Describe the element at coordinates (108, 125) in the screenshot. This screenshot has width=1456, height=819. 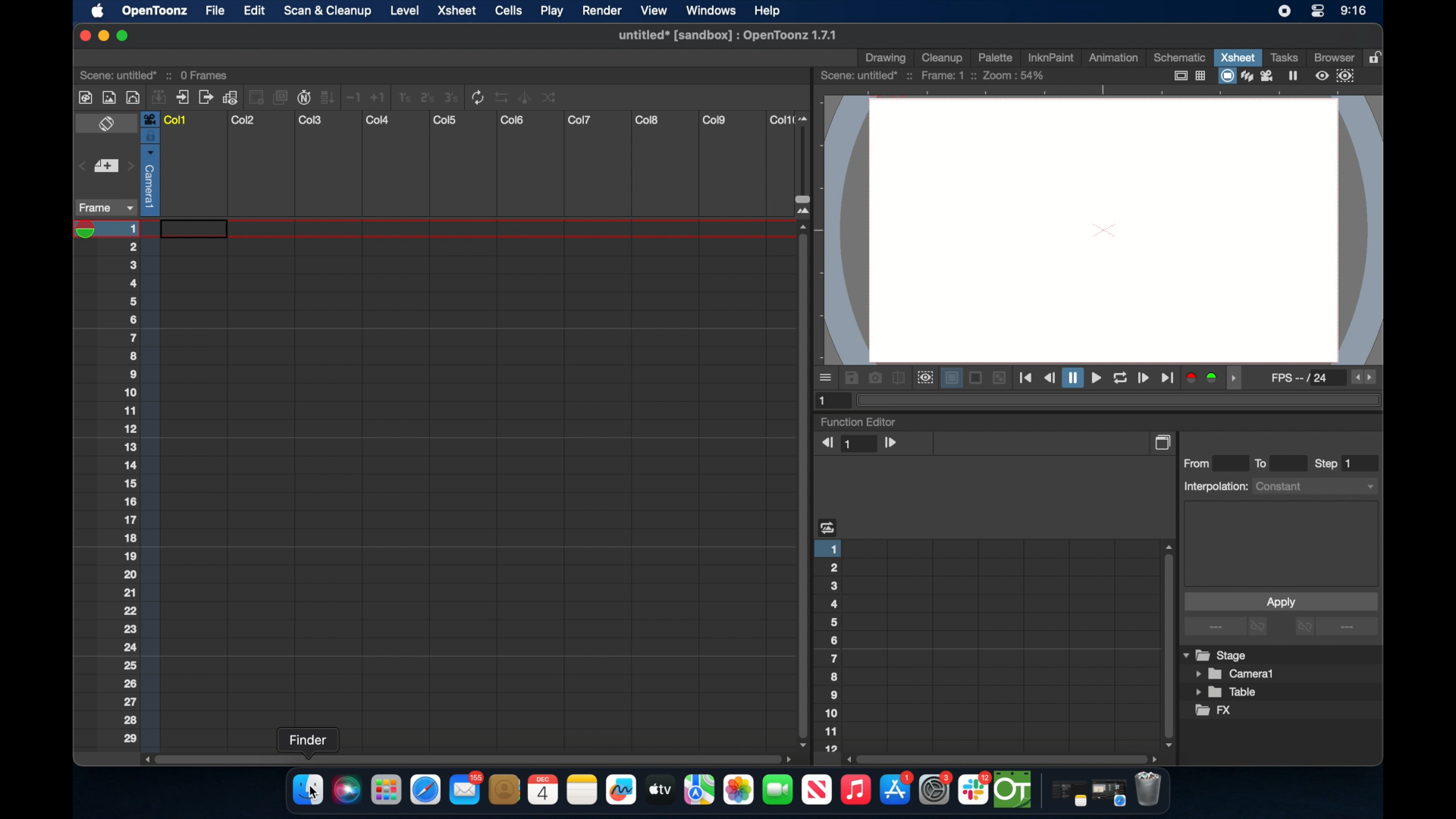
I see `toggle x sheet` at that location.